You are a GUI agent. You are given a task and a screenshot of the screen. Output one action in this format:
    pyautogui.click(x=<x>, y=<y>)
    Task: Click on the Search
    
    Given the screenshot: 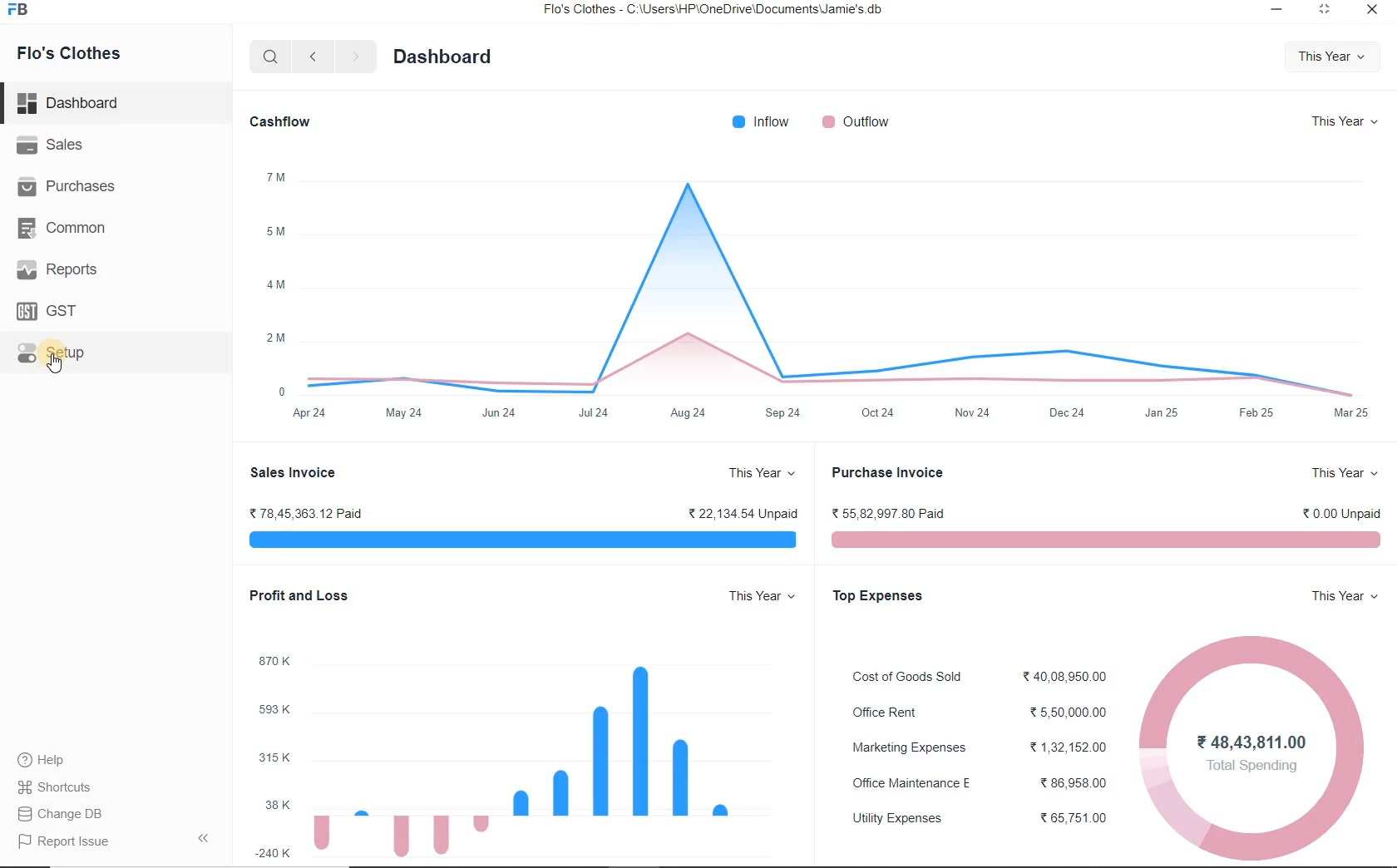 What is the action you would take?
    pyautogui.click(x=268, y=55)
    